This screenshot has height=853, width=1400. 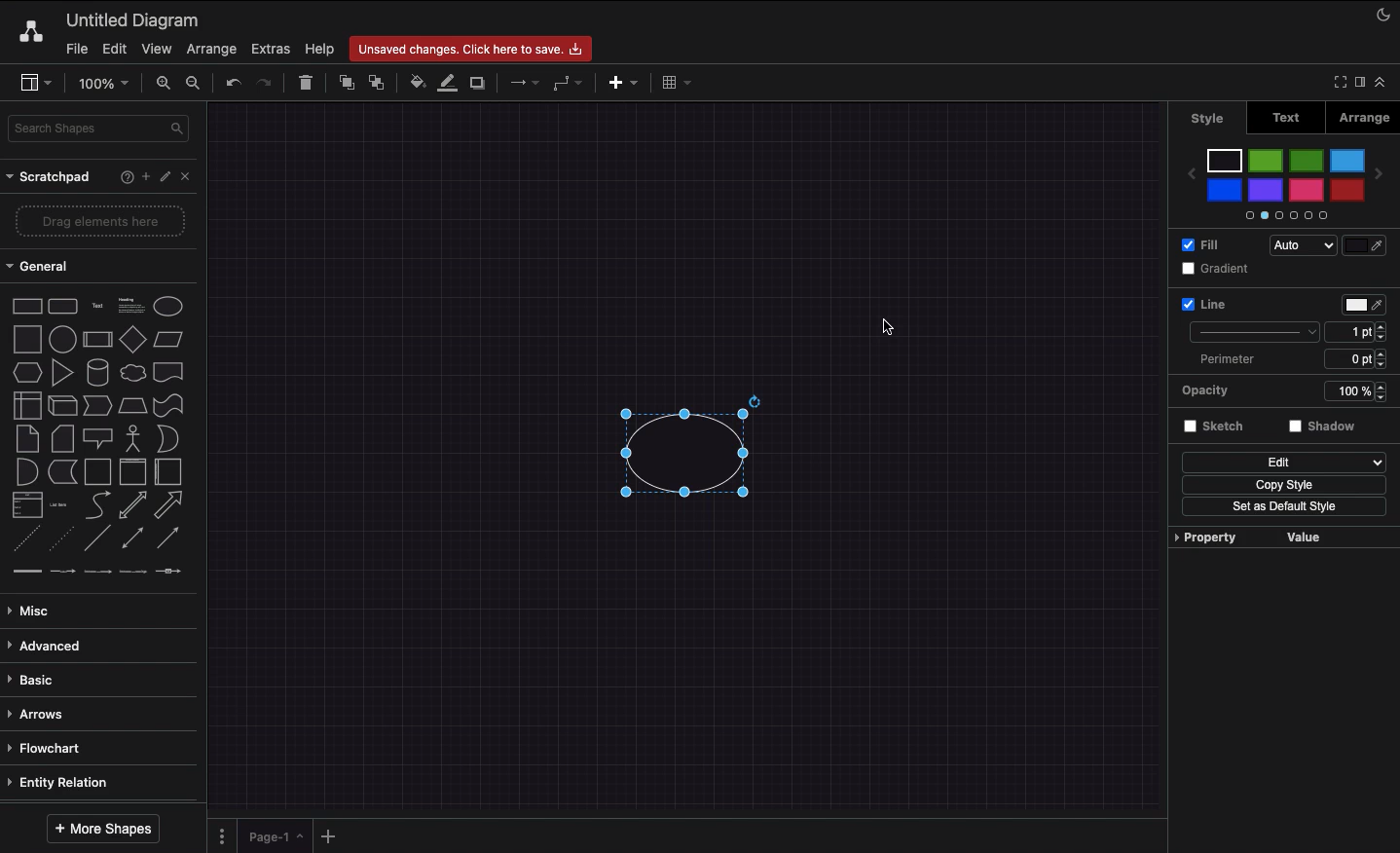 What do you see at coordinates (1217, 270) in the screenshot?
I see `Gradient` at bounding box center [1217, 270].